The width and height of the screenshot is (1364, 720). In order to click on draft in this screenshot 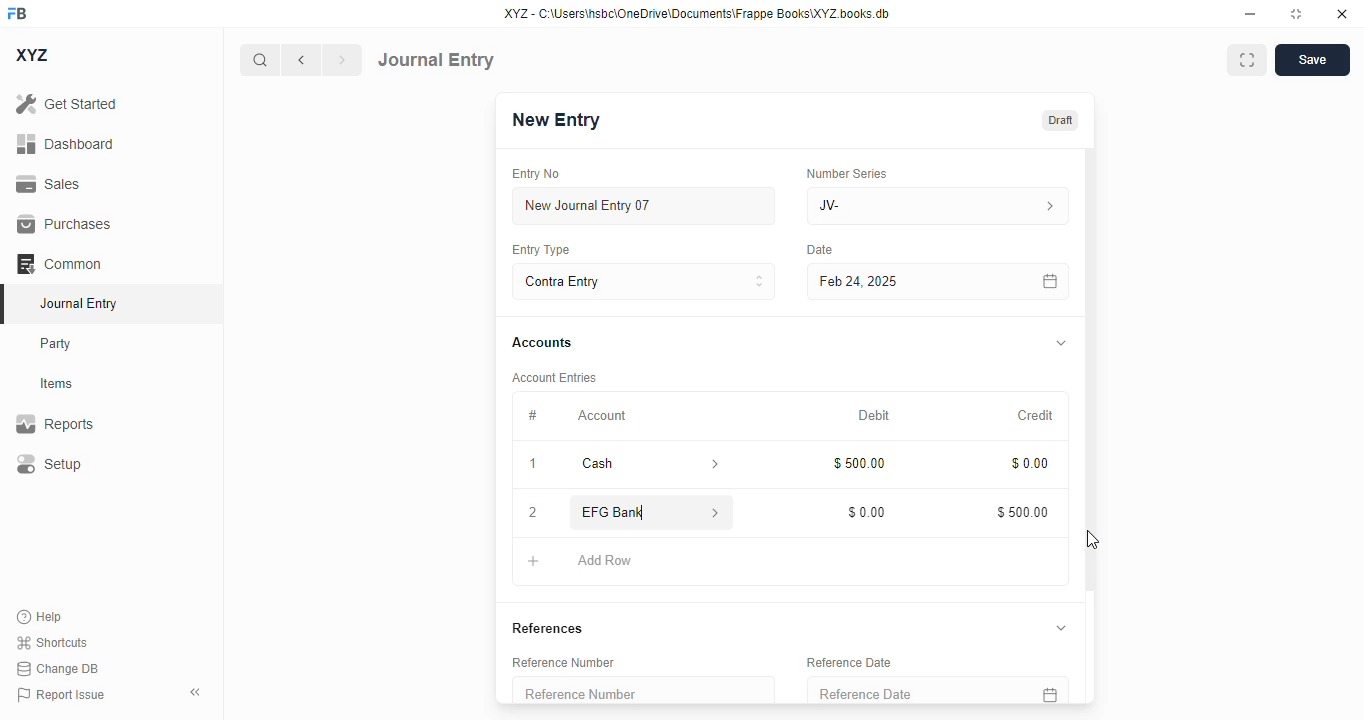, I will do `click(1061, 119)`.